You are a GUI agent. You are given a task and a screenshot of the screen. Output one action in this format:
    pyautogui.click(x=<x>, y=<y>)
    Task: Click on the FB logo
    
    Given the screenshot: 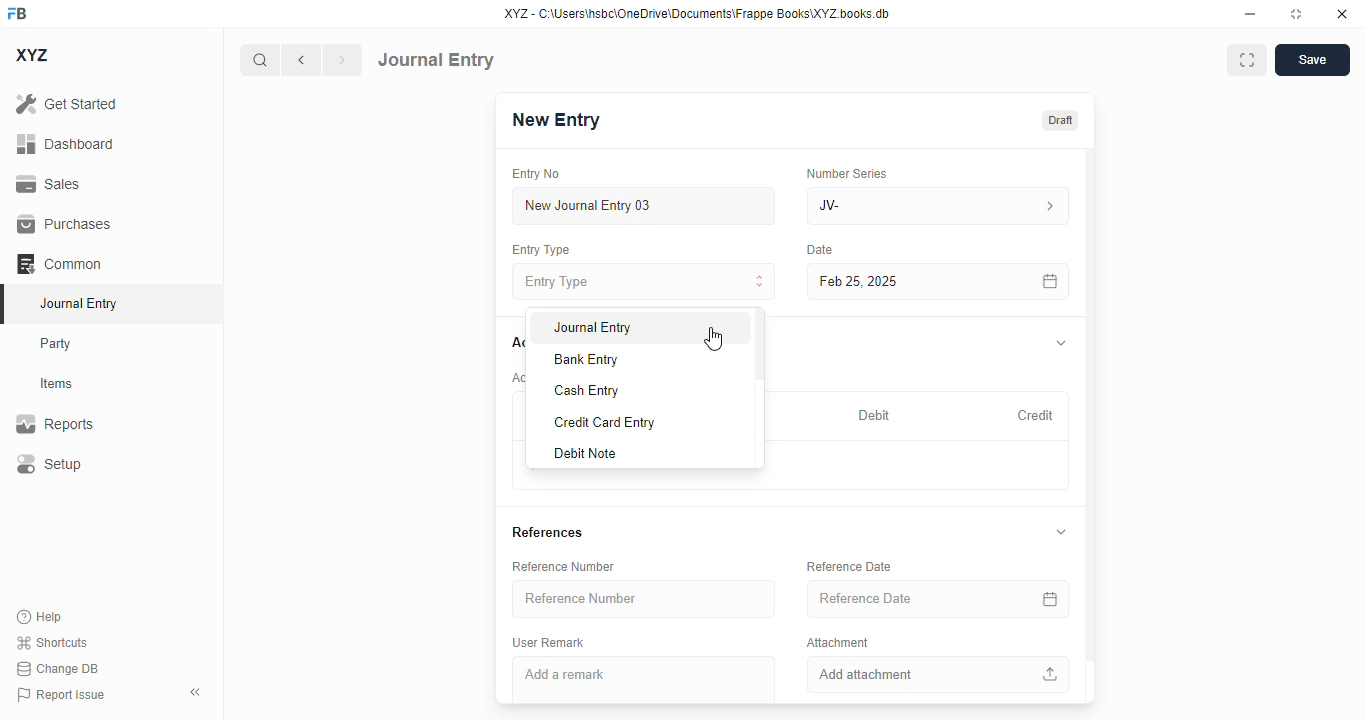 What is the action you would take?
    pyautogui.click(x=17, y=12)
    